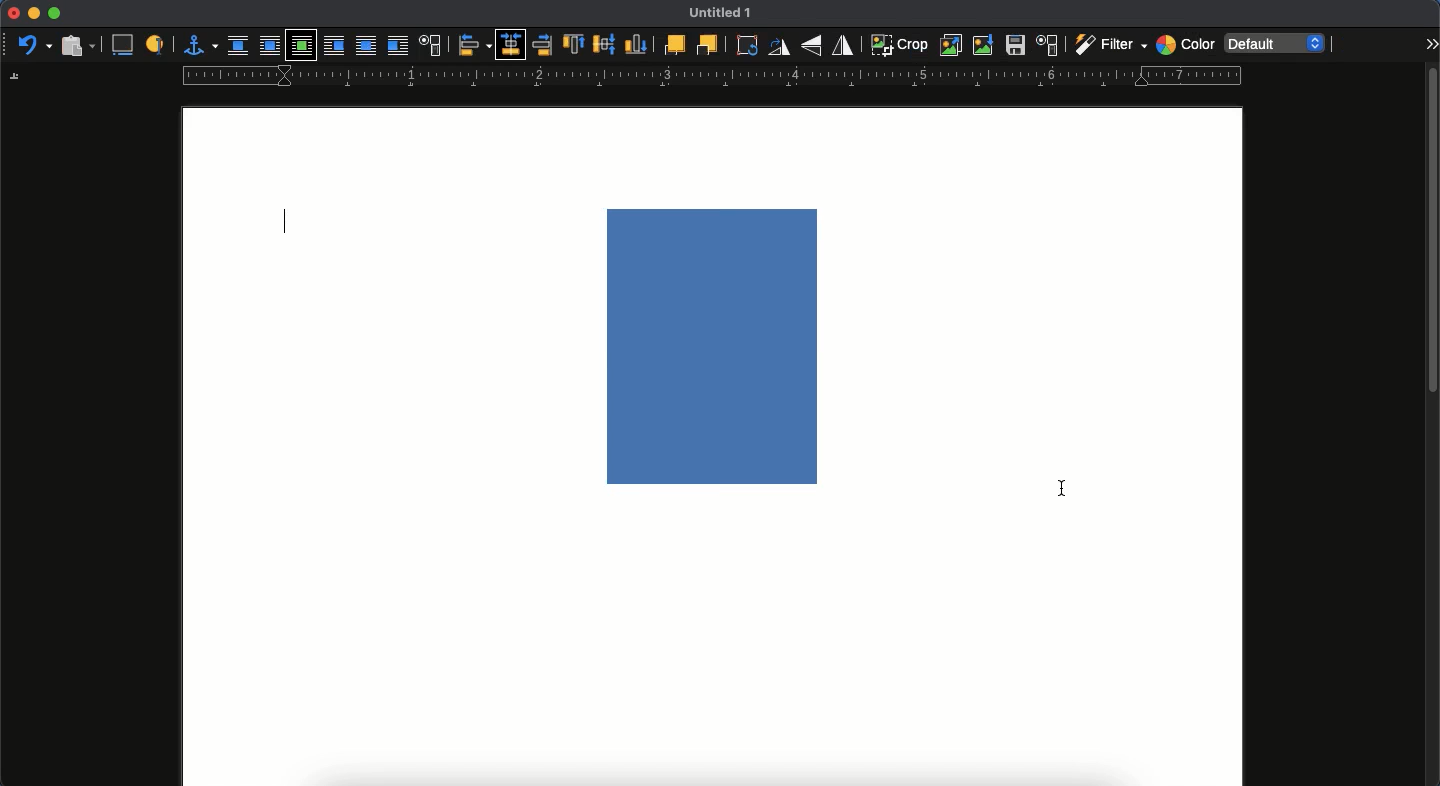  What do you see at coordinates (842, 44) in the screenshot?
I see `flip horizontally ` at bounding box center [842, 44].